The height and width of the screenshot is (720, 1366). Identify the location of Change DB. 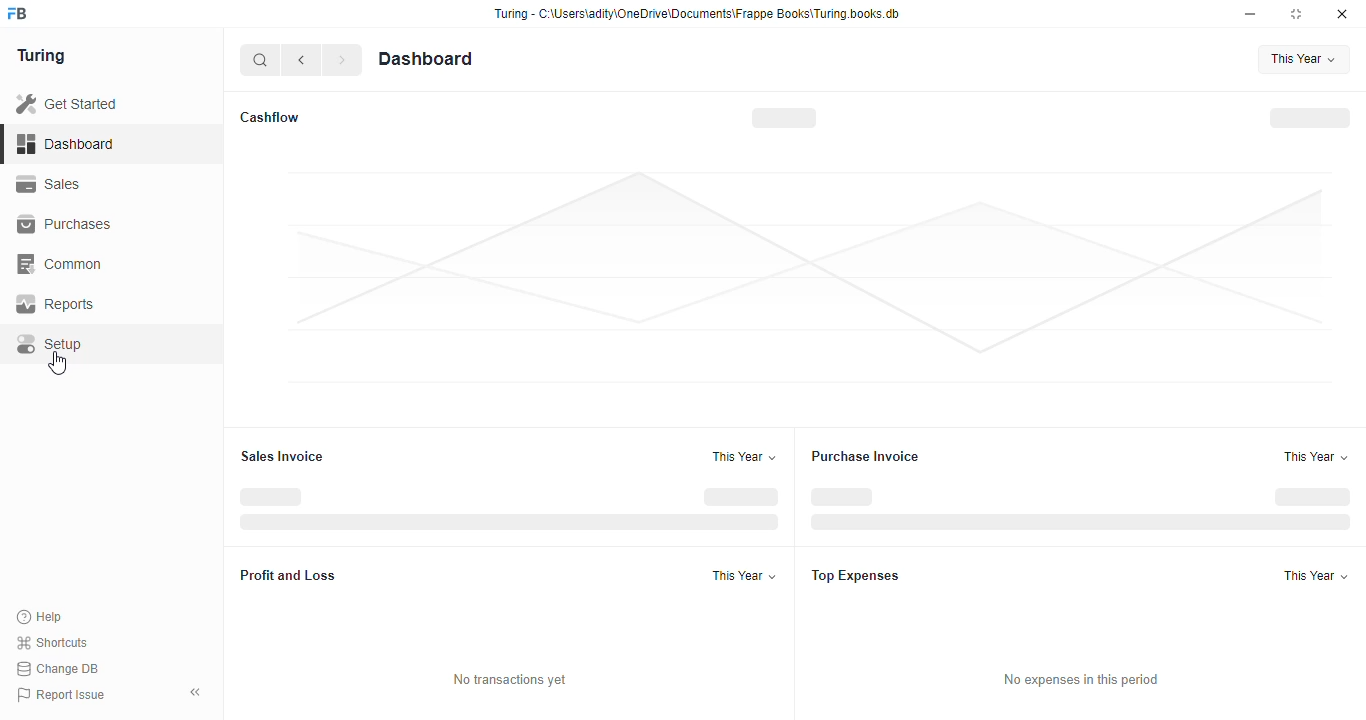
(60, 670).